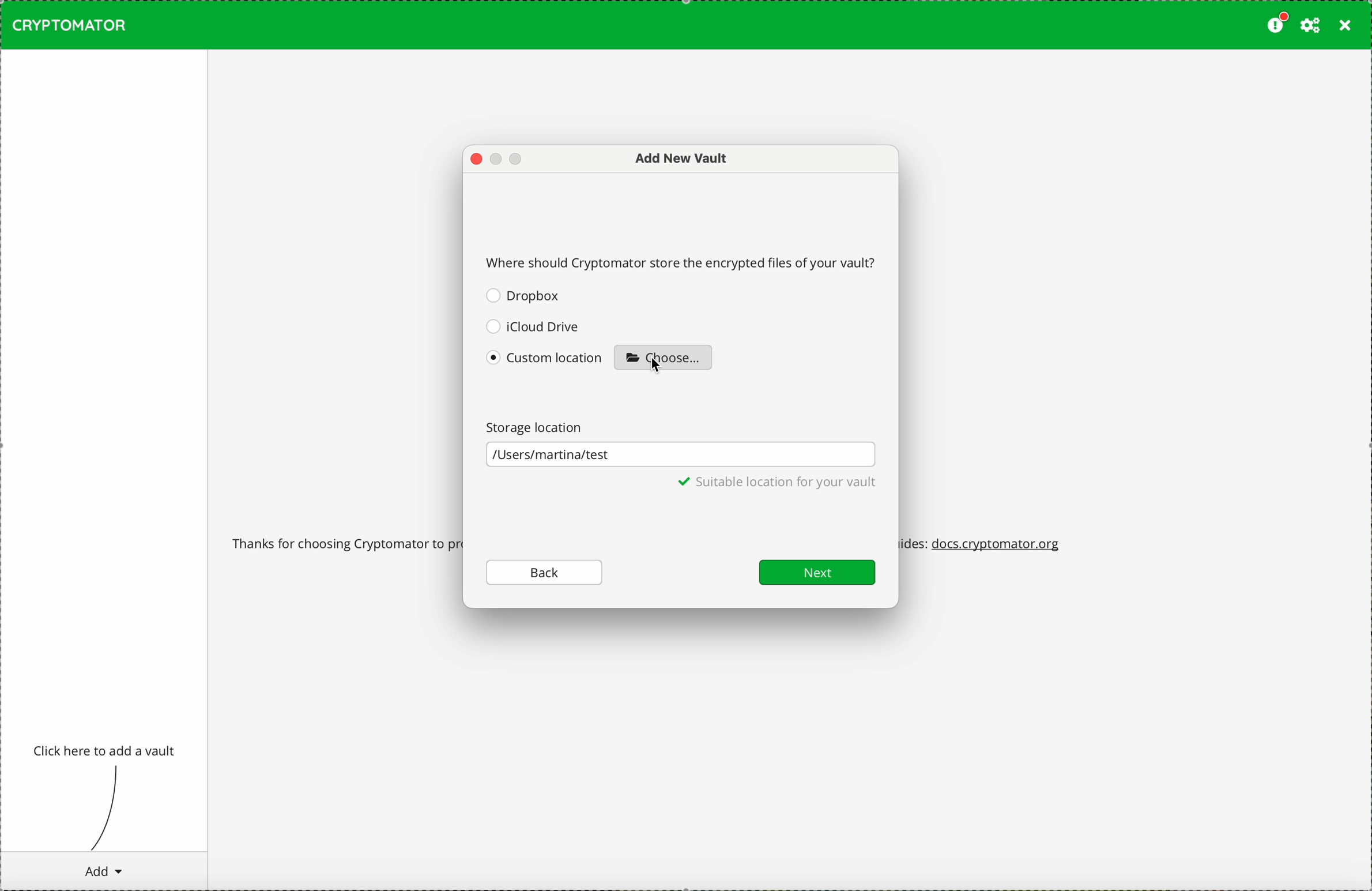 This screenshot has height=891, width=1372. I want to click on CRYPTOMATOR, so click(69, 25).